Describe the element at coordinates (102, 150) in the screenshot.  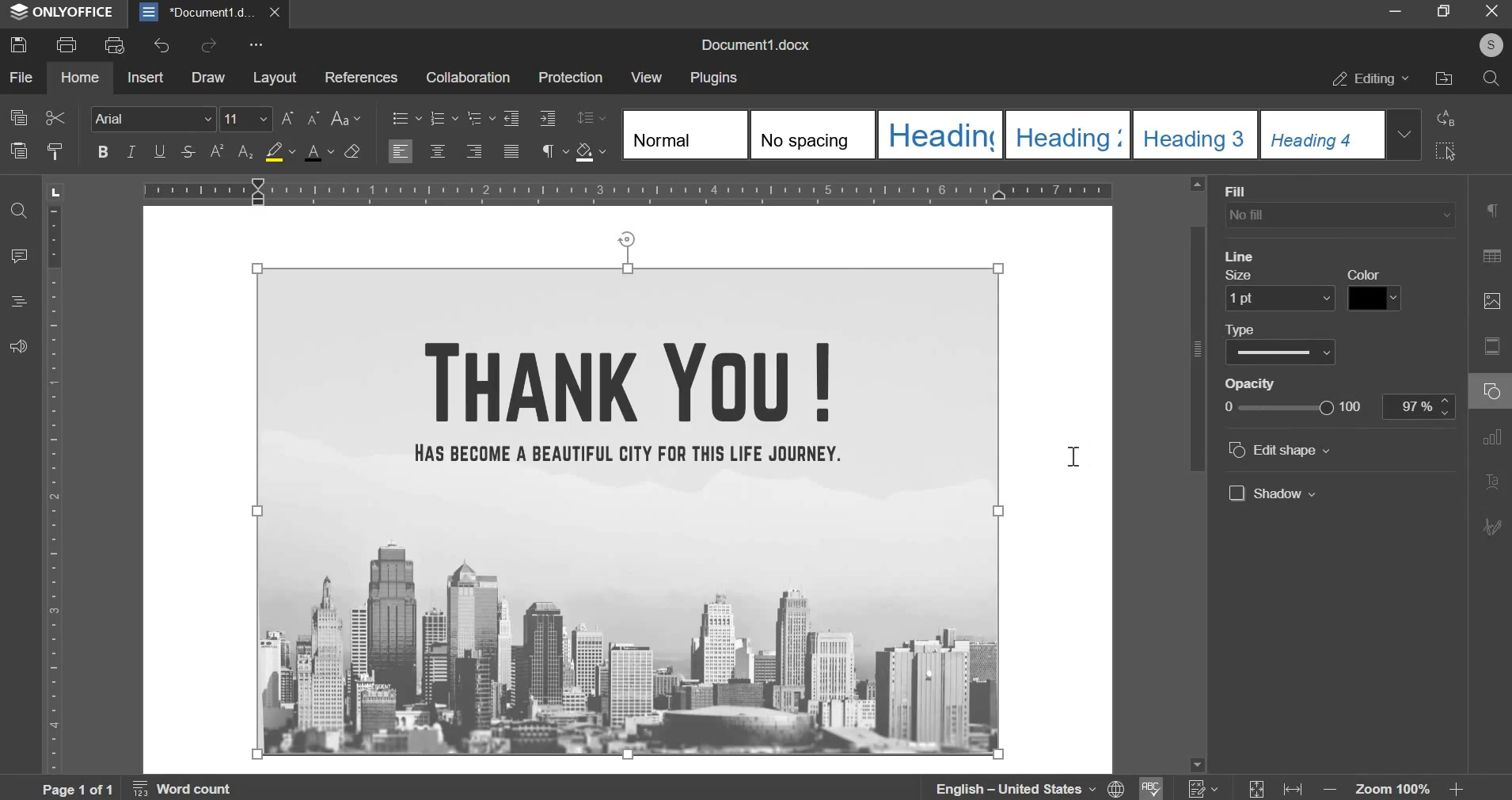
I see `bold` at that location.